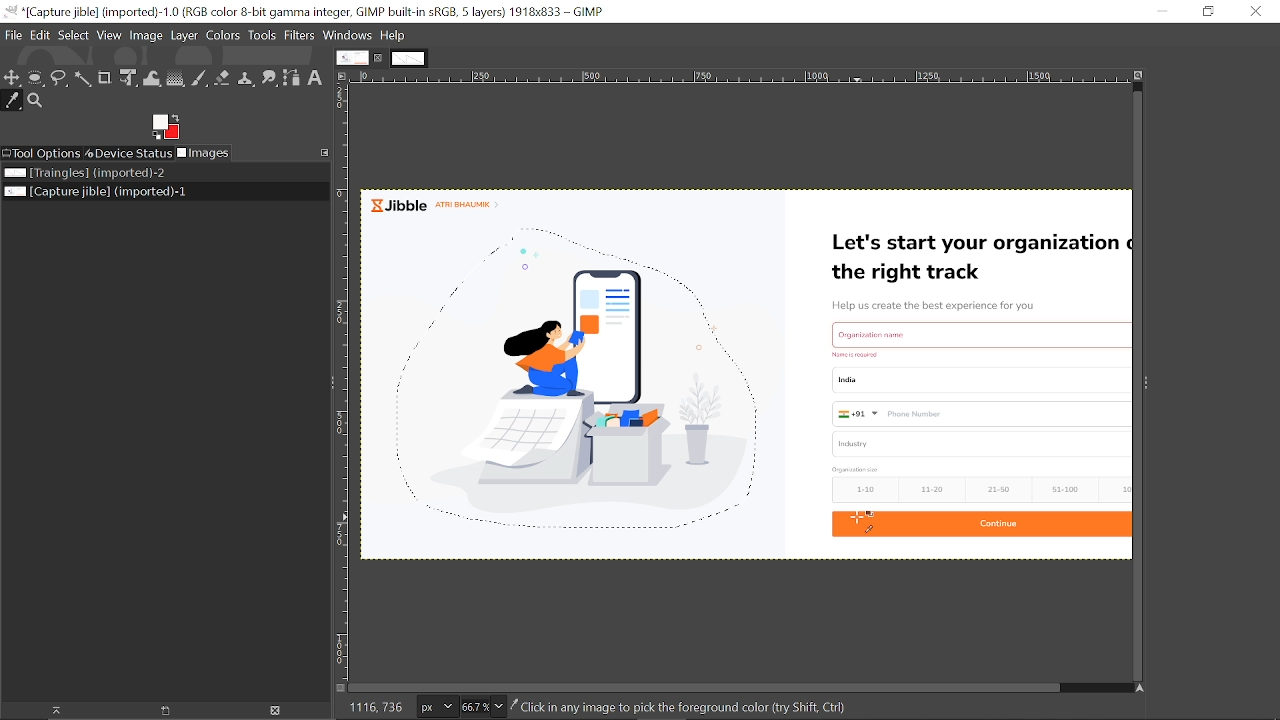 The image size is (1280, 720). Describe the element at coordinates (291, 80) in the screenshot. I see `Paths tool` at that location.